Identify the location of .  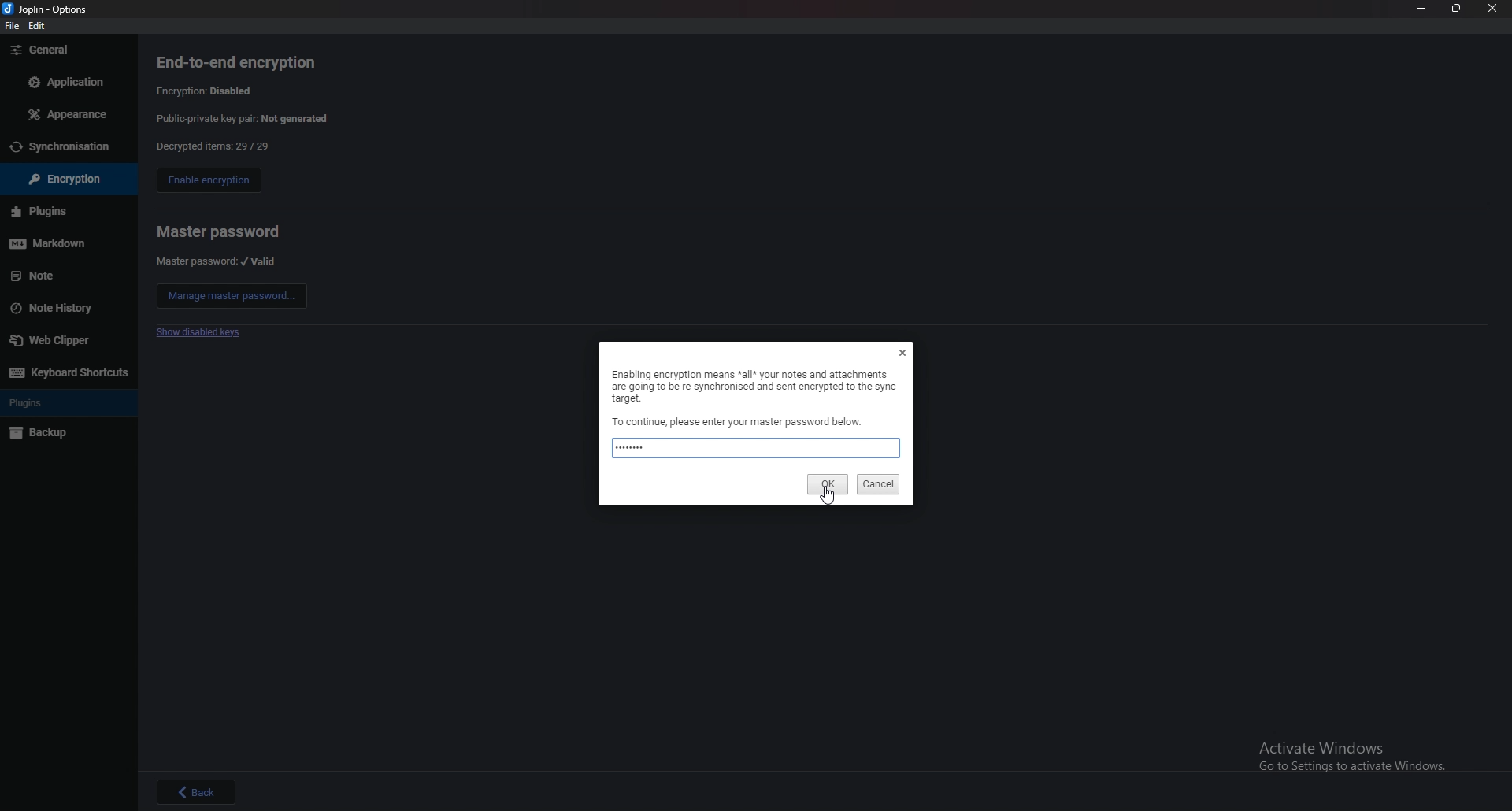
(1418, 9).